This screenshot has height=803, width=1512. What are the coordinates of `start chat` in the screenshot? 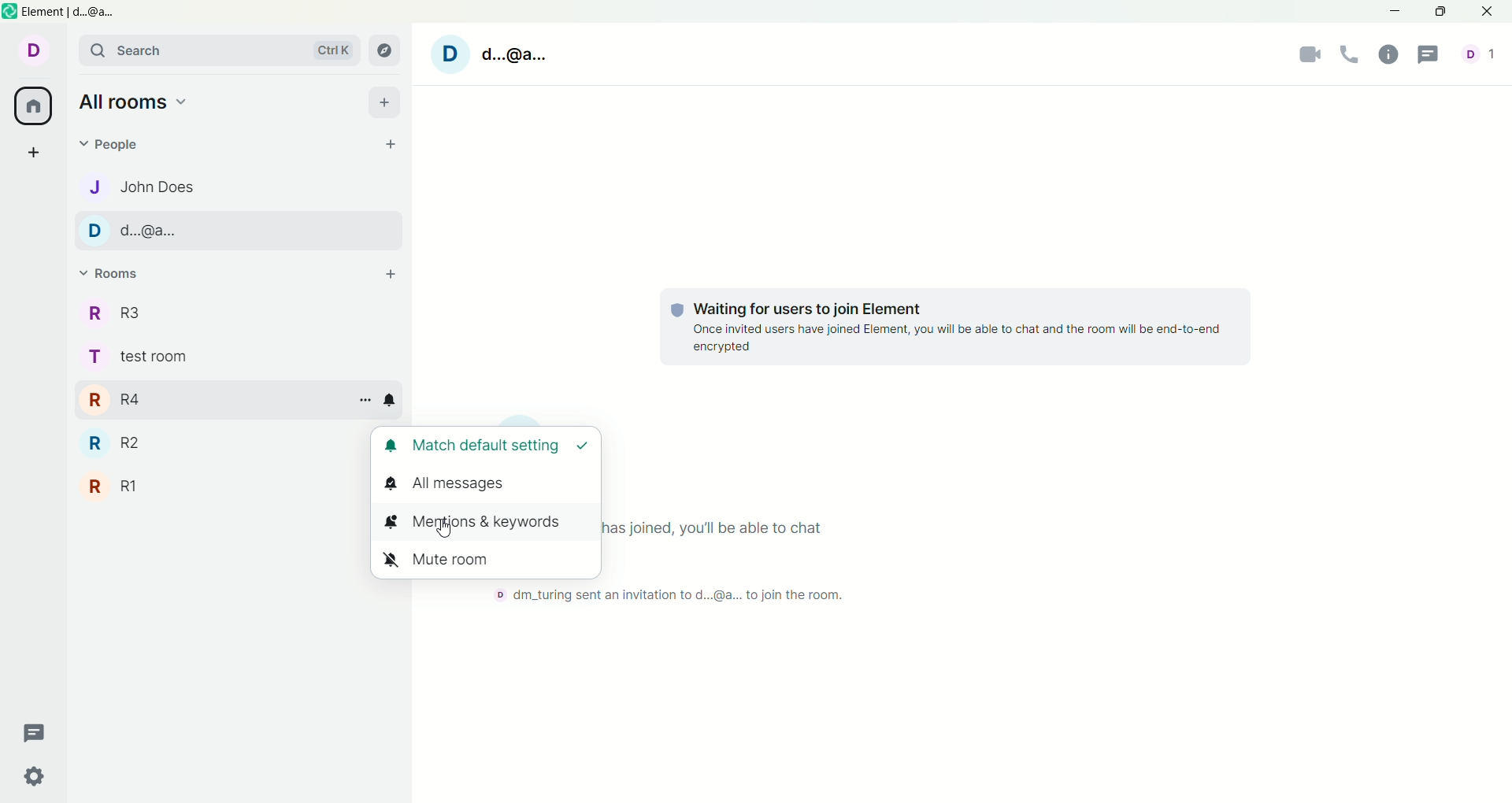 It's located at (390, 144).